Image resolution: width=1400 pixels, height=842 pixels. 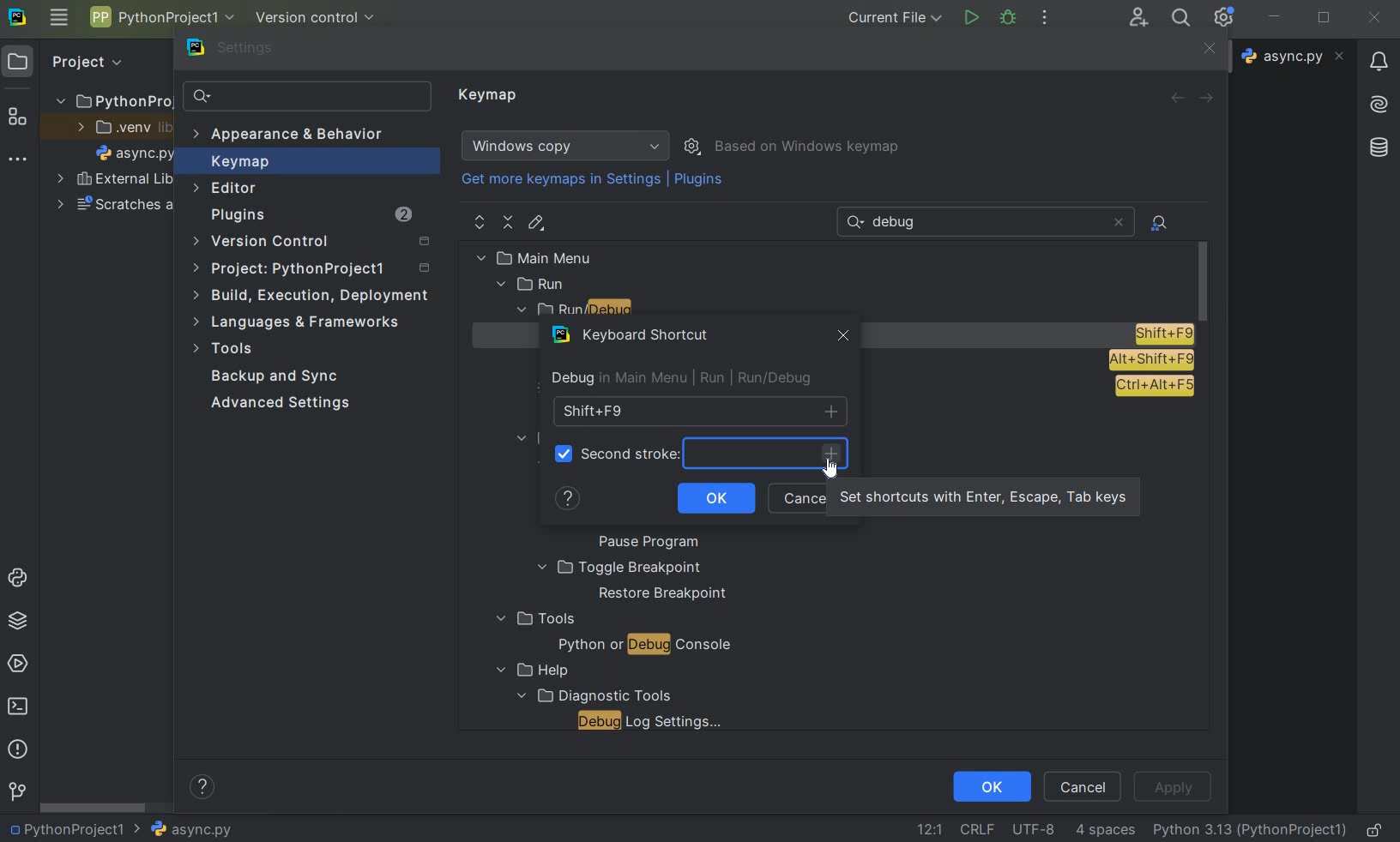 I want to click on project name, so click(x=64, y=829).